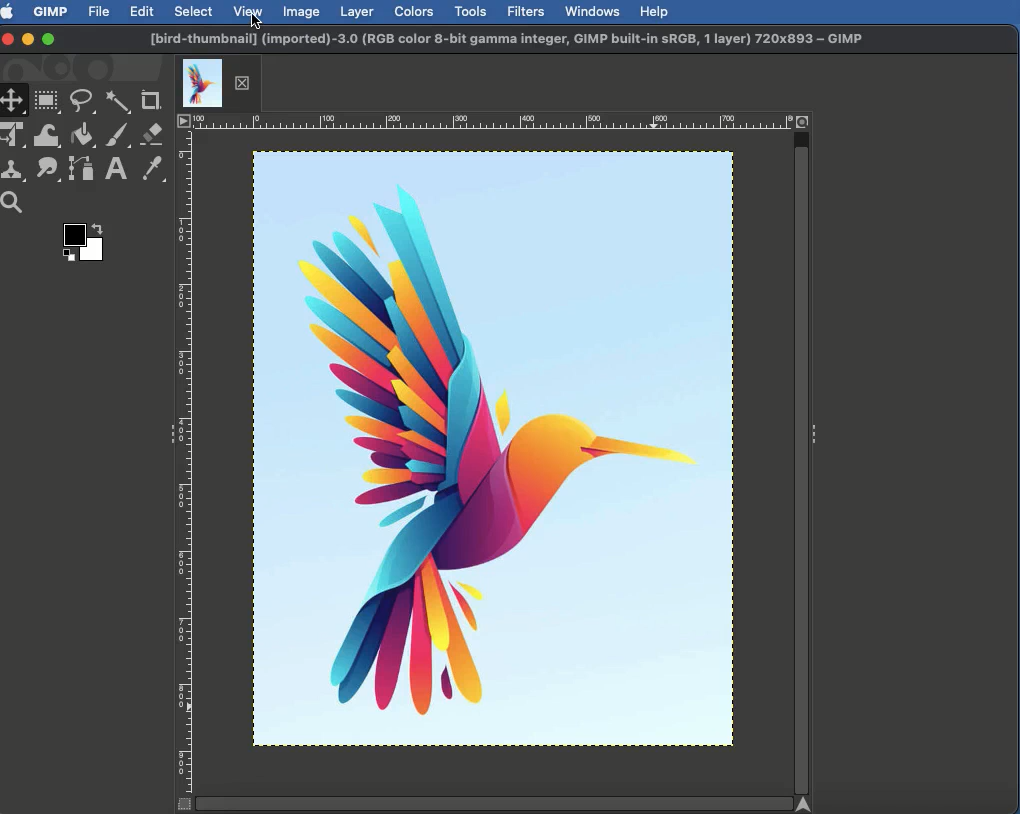 The width and height of the screenshot is (1020, 814). What do you see at coordinates (142, 13) in the screenshot?
I see `Edit` at bounding box center [142, 13].